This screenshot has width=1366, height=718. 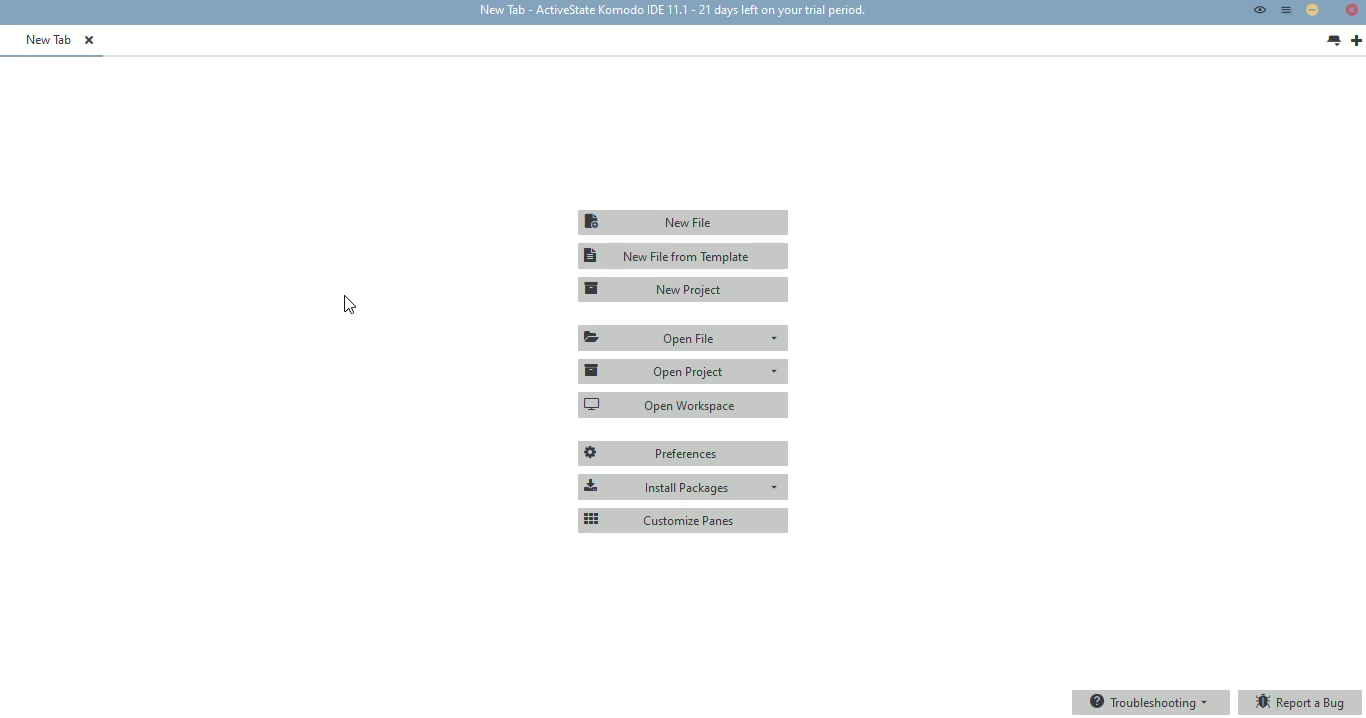 I want to click on new tab, so click(x=1357, y=41).